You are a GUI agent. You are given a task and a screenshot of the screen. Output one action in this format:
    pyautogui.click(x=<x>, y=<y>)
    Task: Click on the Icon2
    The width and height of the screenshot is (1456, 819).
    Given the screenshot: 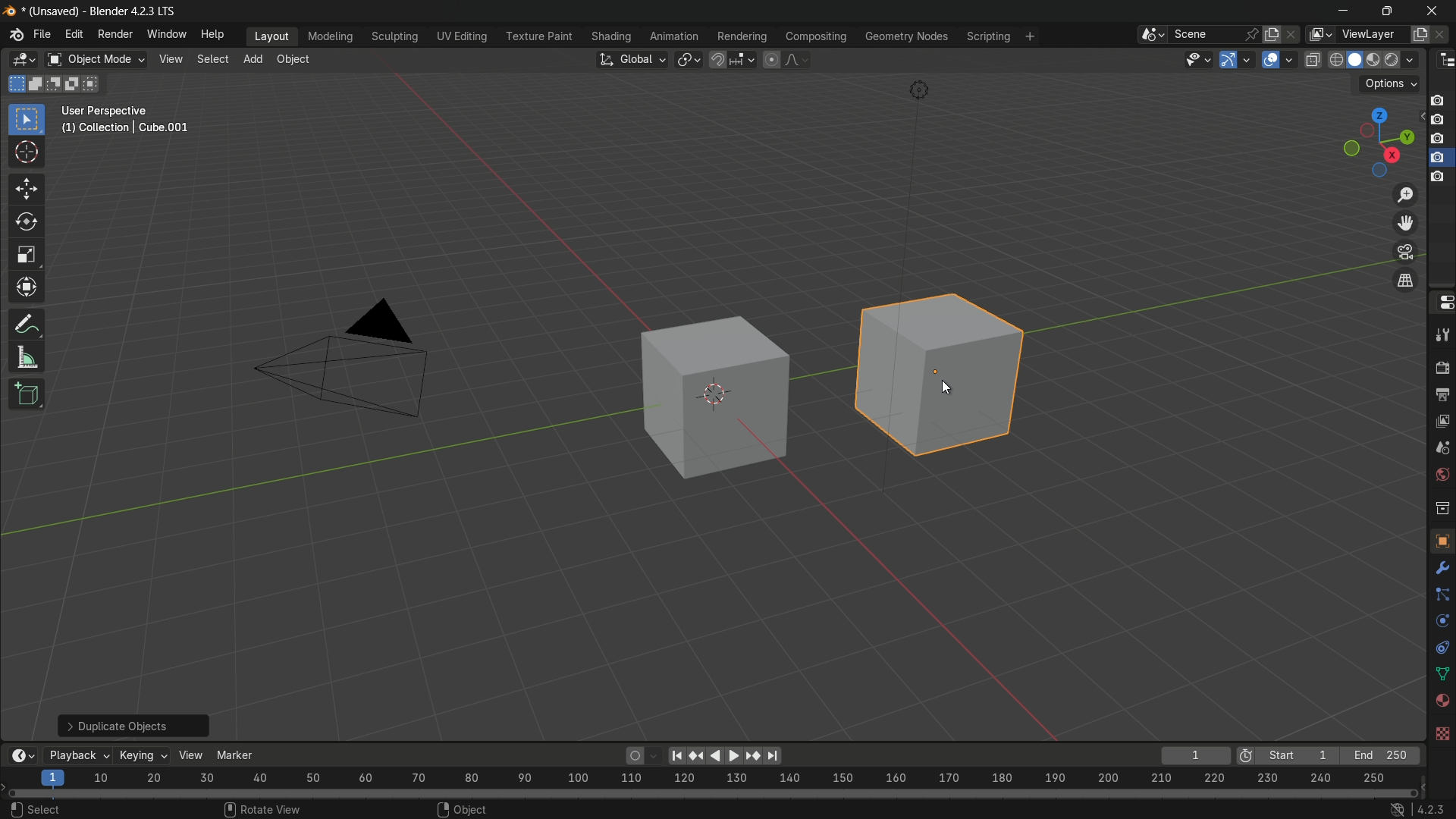 What is the action you would take?
    pyautogui.click(x=1439, y=121)
    